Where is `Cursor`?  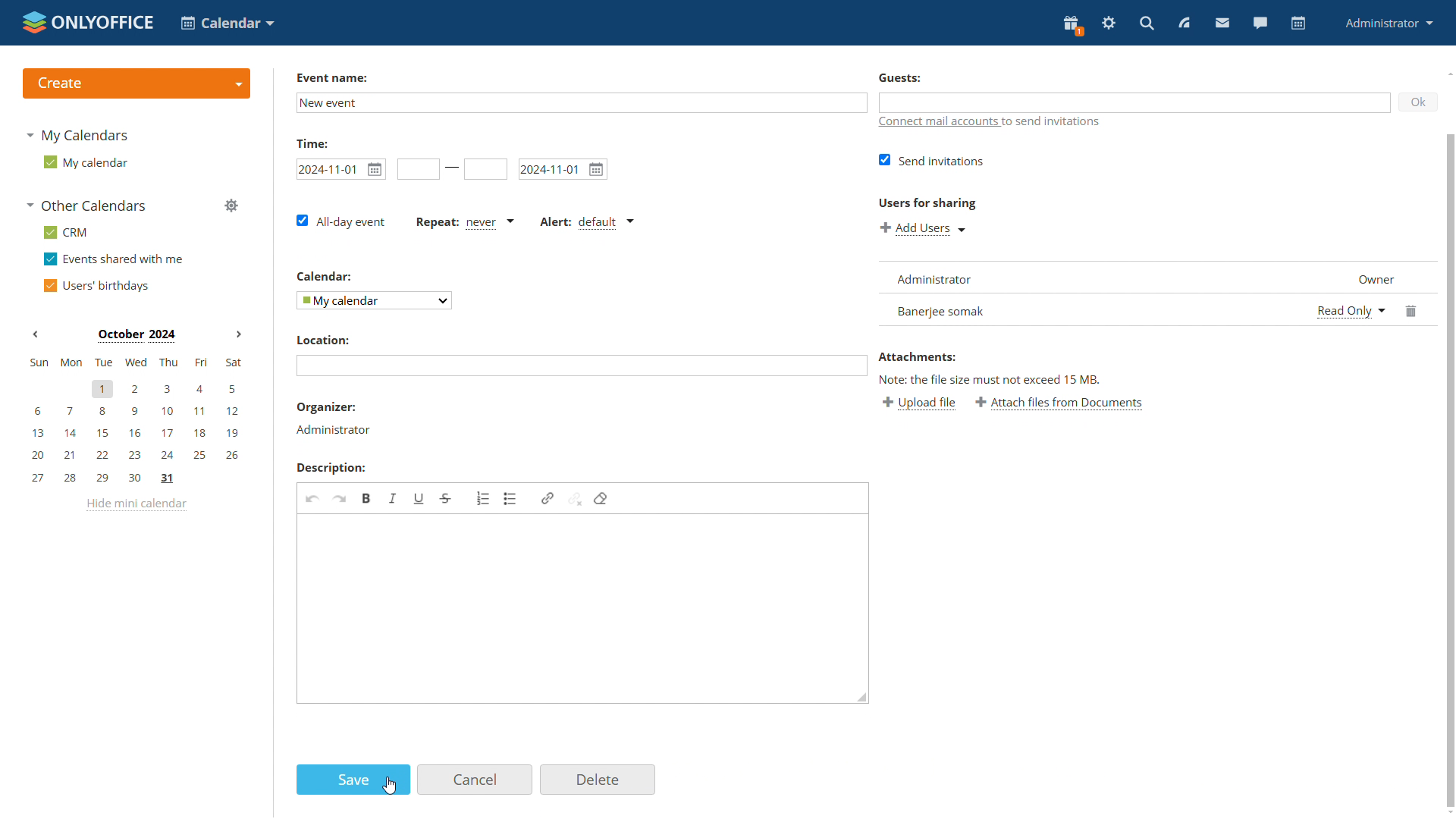
Cursor is located at coordinates (390, 785).